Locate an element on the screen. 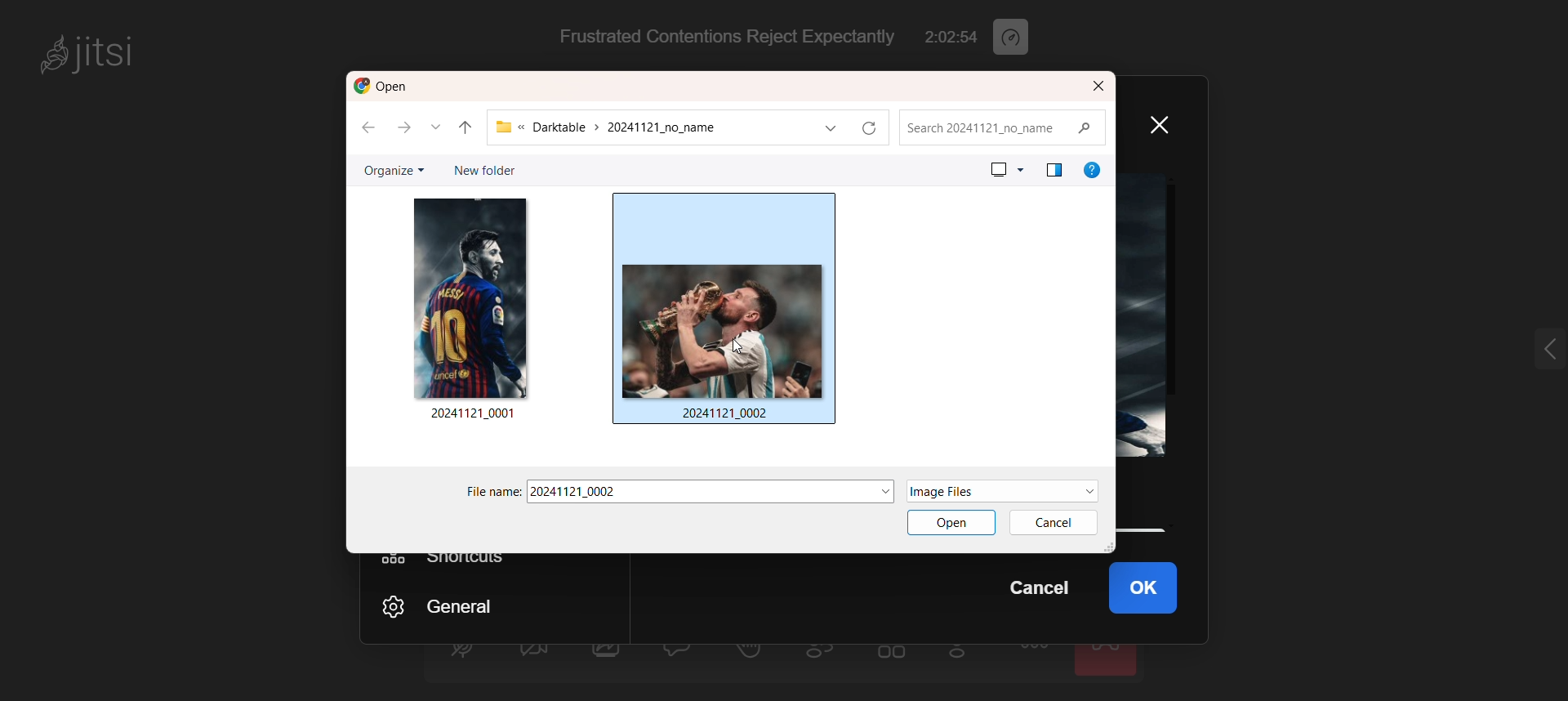 This screenshot has height=701, width=1568. reload is located at coordinates (876, 127).